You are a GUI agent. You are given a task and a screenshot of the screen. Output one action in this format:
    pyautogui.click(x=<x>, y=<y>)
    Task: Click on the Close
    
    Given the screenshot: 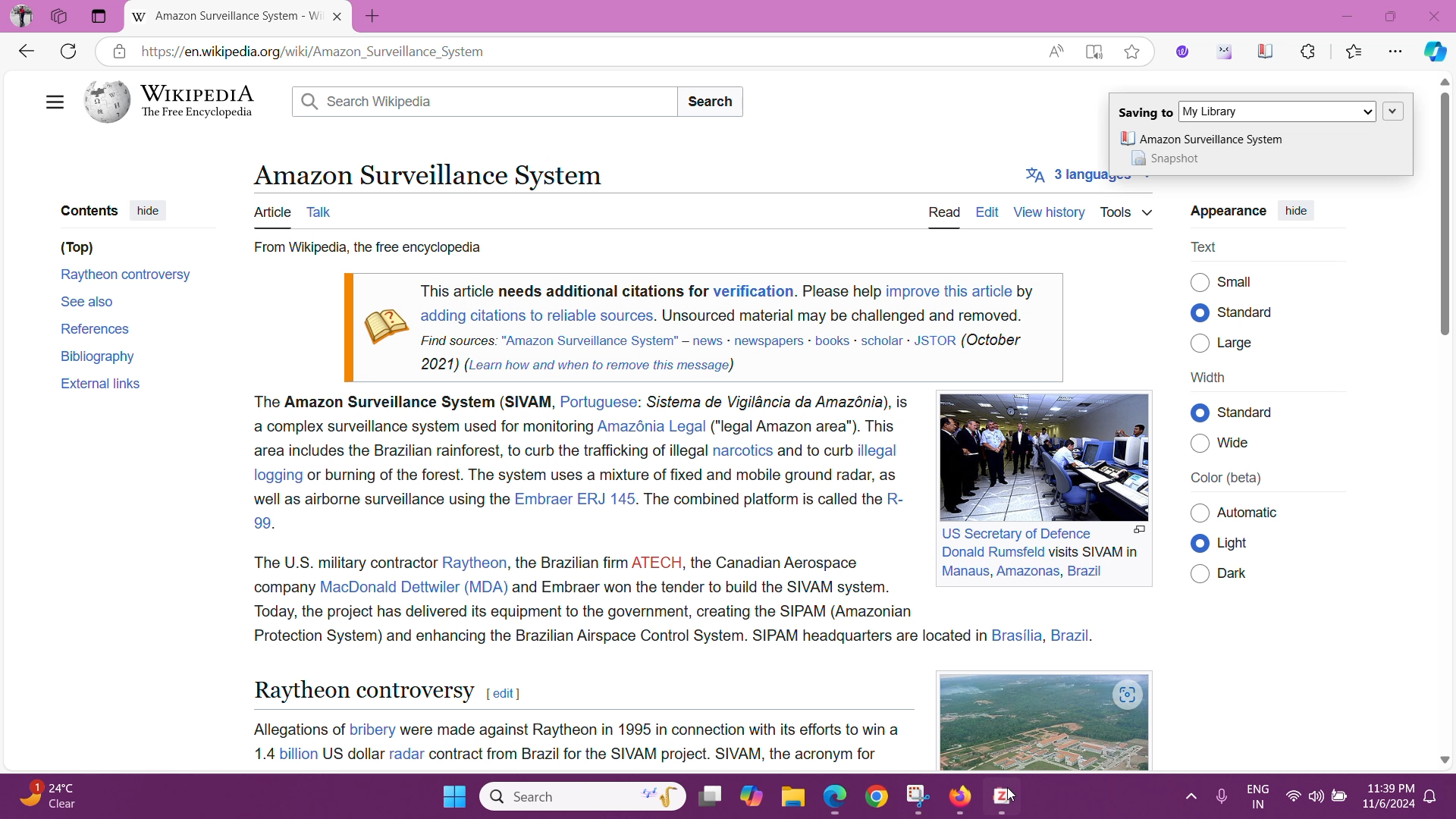 What is the action you would take?
    pyautogui.click(x=1435, y=15)
    